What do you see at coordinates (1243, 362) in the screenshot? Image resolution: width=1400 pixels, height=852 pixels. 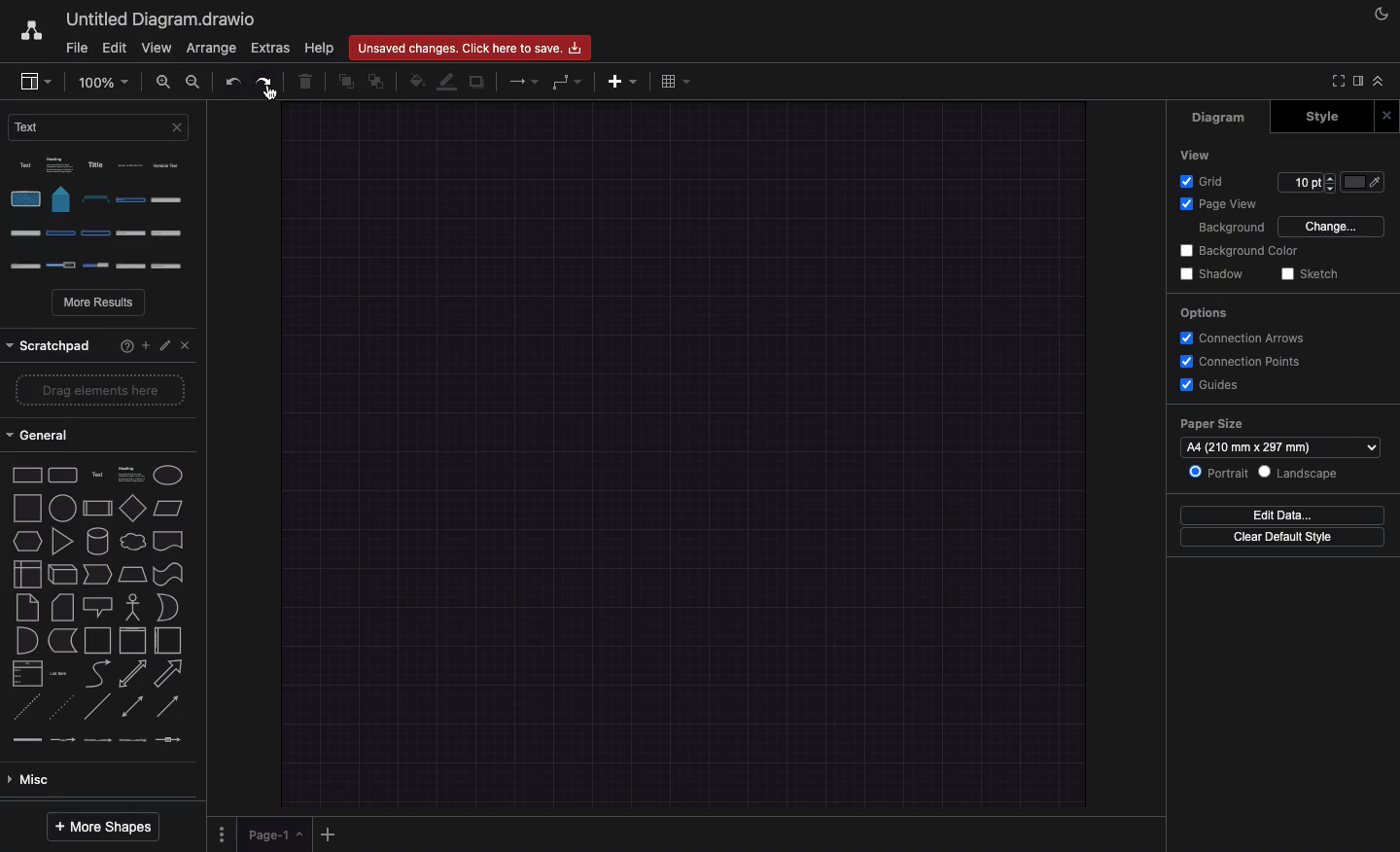 I see `Connection points` at bounding box center [1243, 362].